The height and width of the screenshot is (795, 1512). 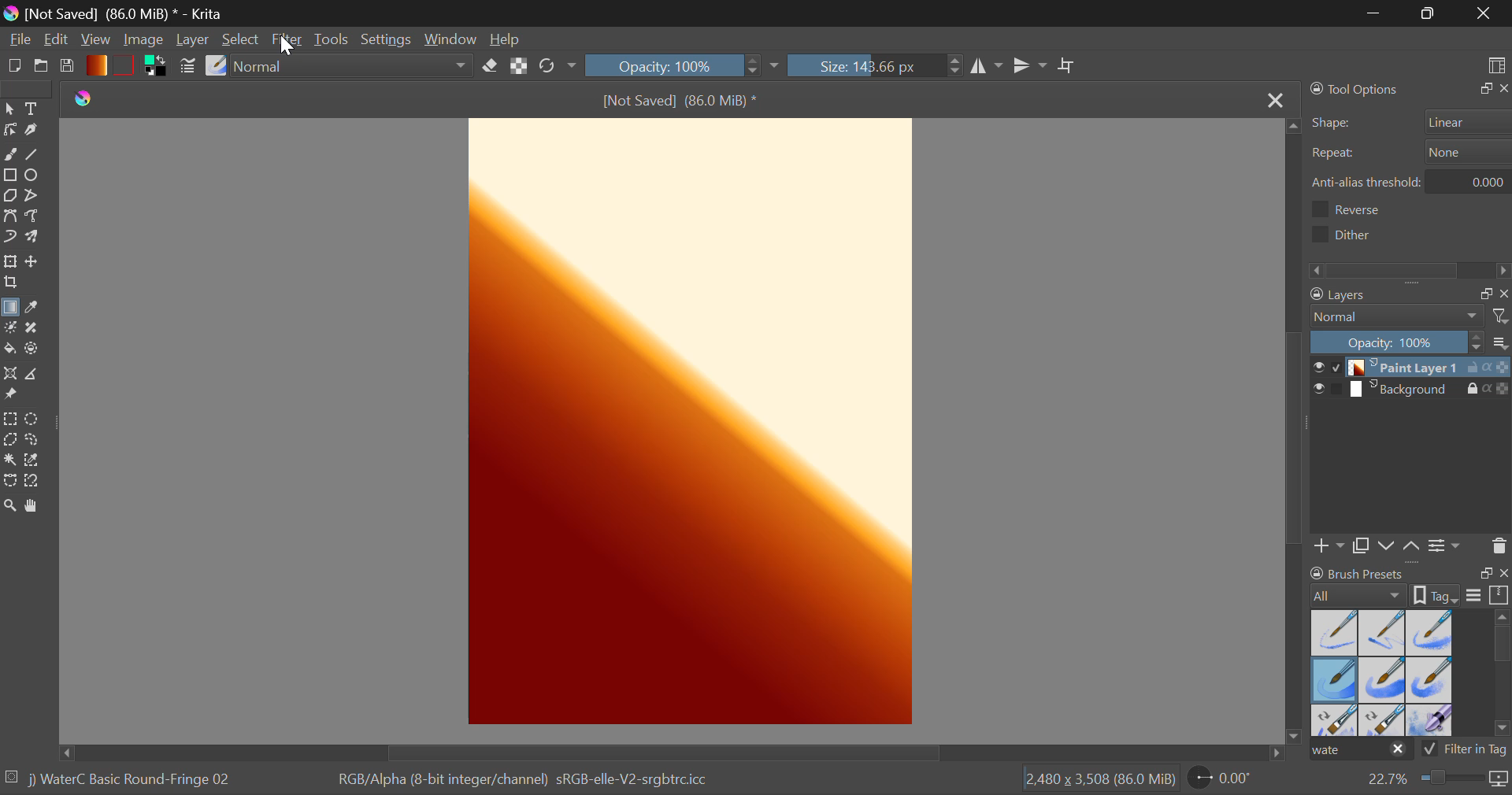 I want to click on add, so click(x=1330, y=548).